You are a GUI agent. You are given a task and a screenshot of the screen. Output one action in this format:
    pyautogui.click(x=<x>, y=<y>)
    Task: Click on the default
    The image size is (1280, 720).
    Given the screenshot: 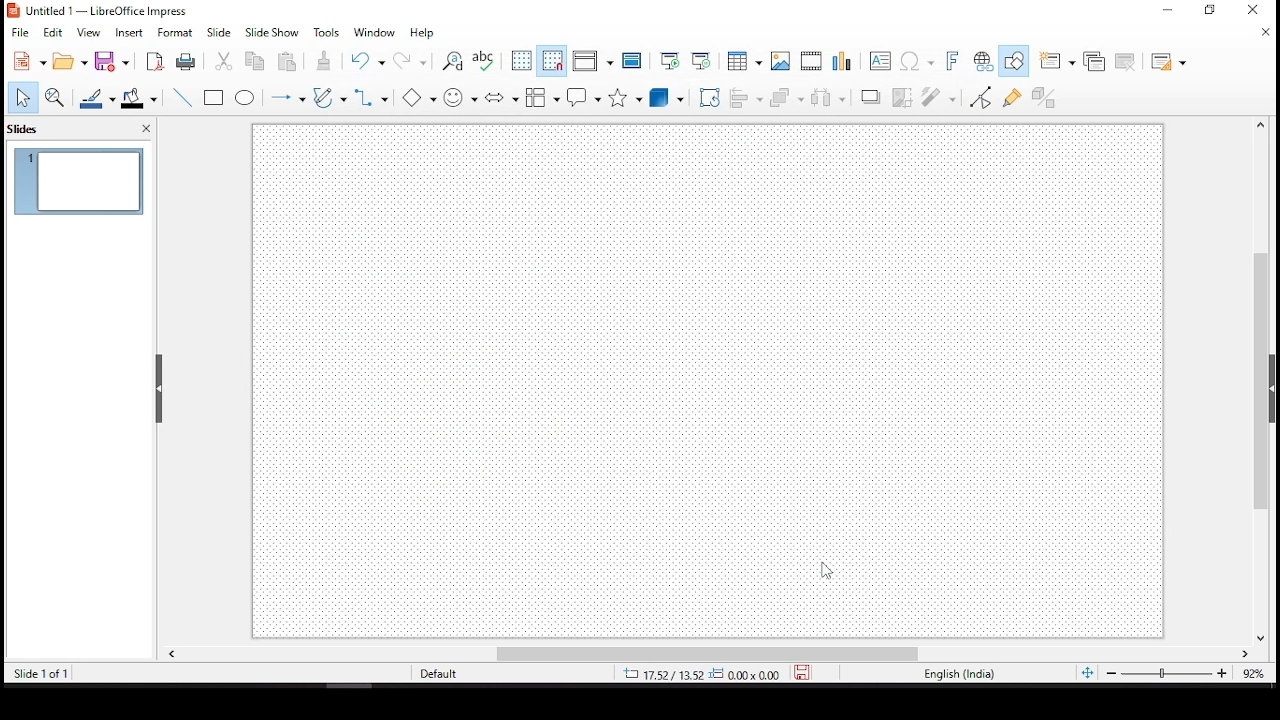 What is the action you would take?
    pyautogui.click(x=439, y=674)
    